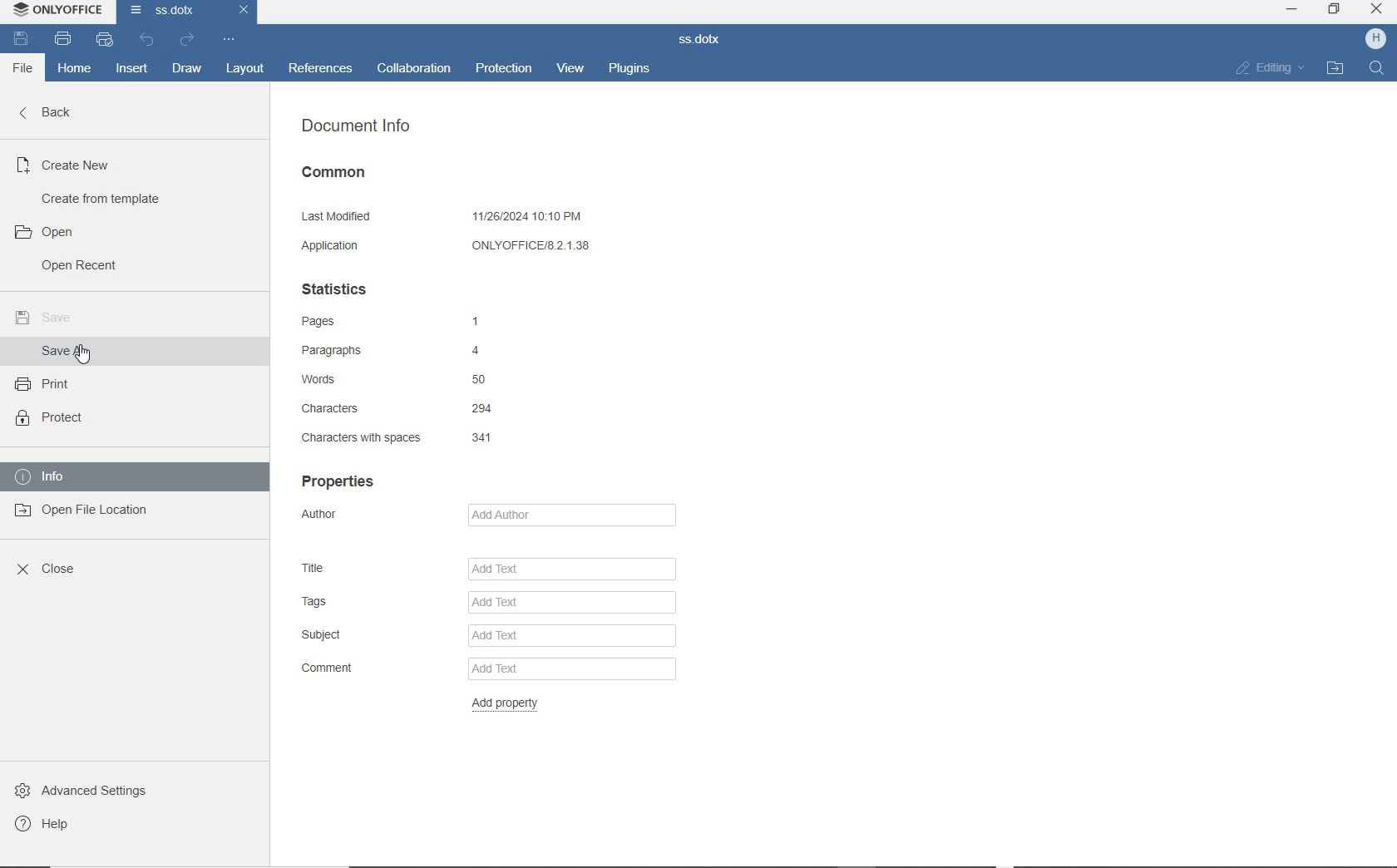 The width and height of the screenshot is (1397, 868). I want to click on COMMON, so click(334, 173).